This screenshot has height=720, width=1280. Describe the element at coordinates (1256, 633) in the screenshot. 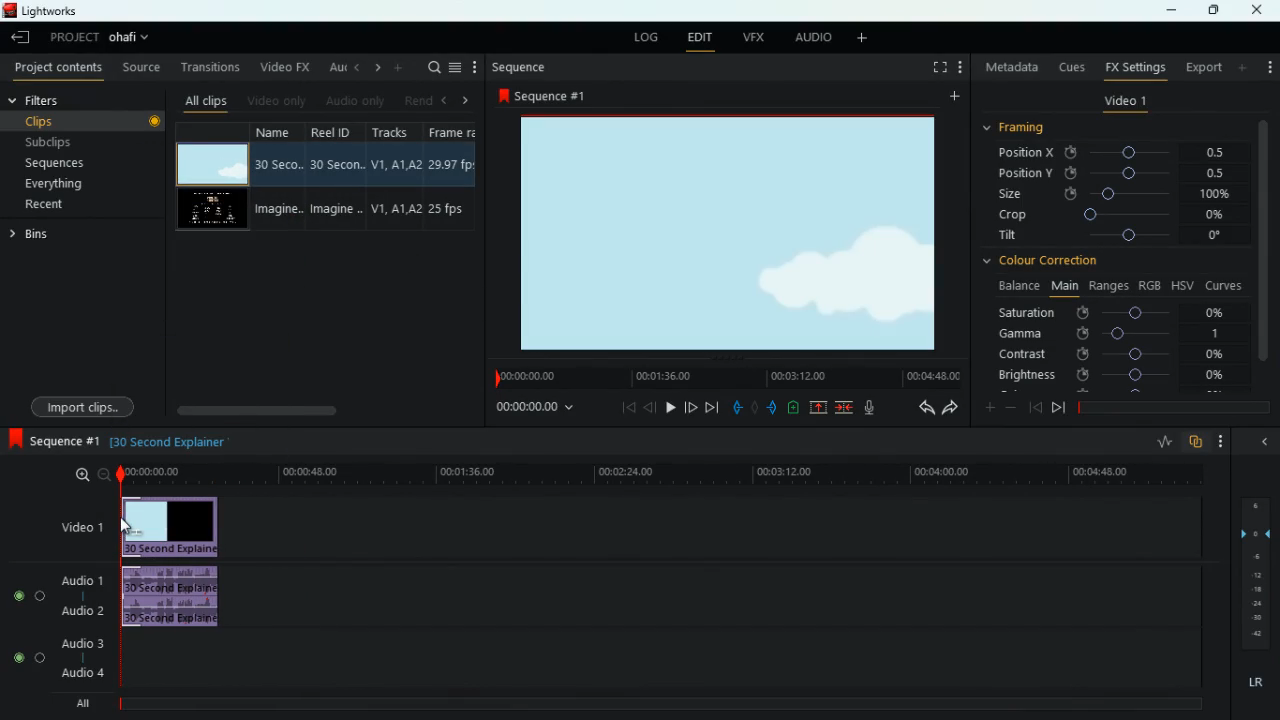

I see `-42 (layer)` at that location.